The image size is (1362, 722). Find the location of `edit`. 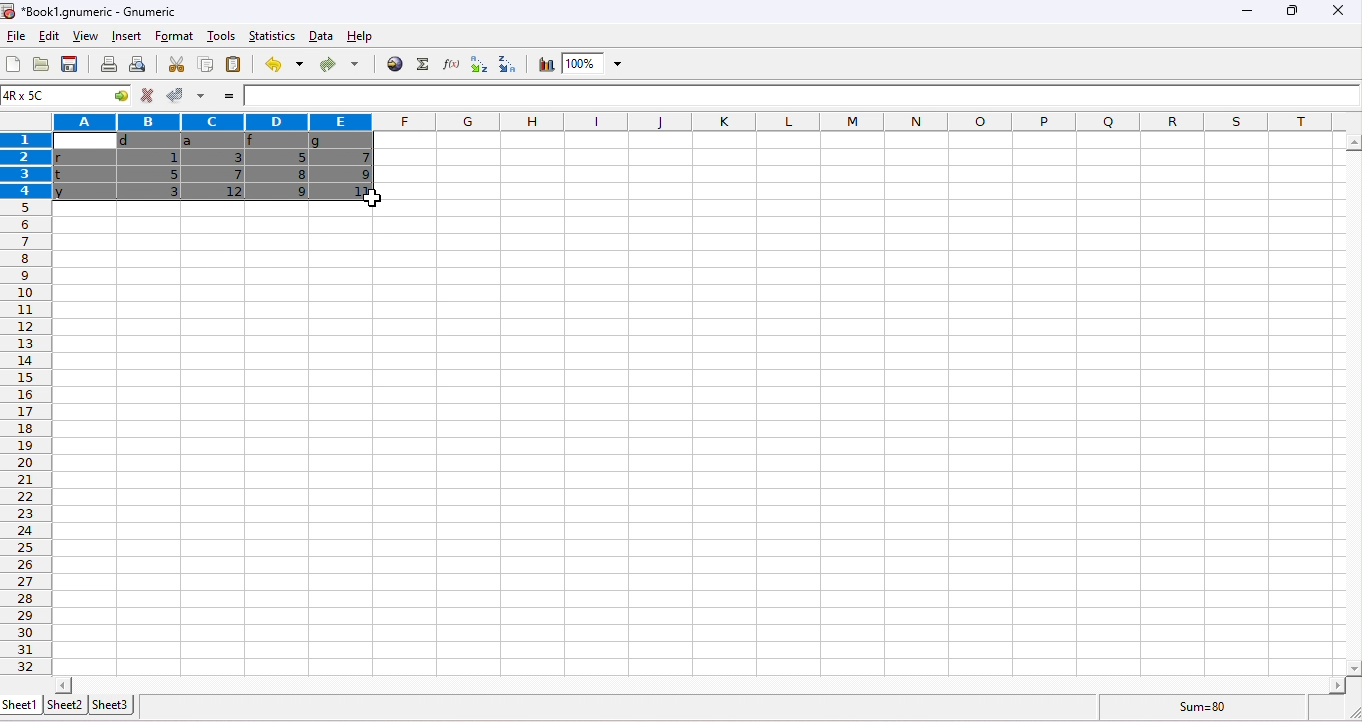

edit is located at coordinates (51, 37).